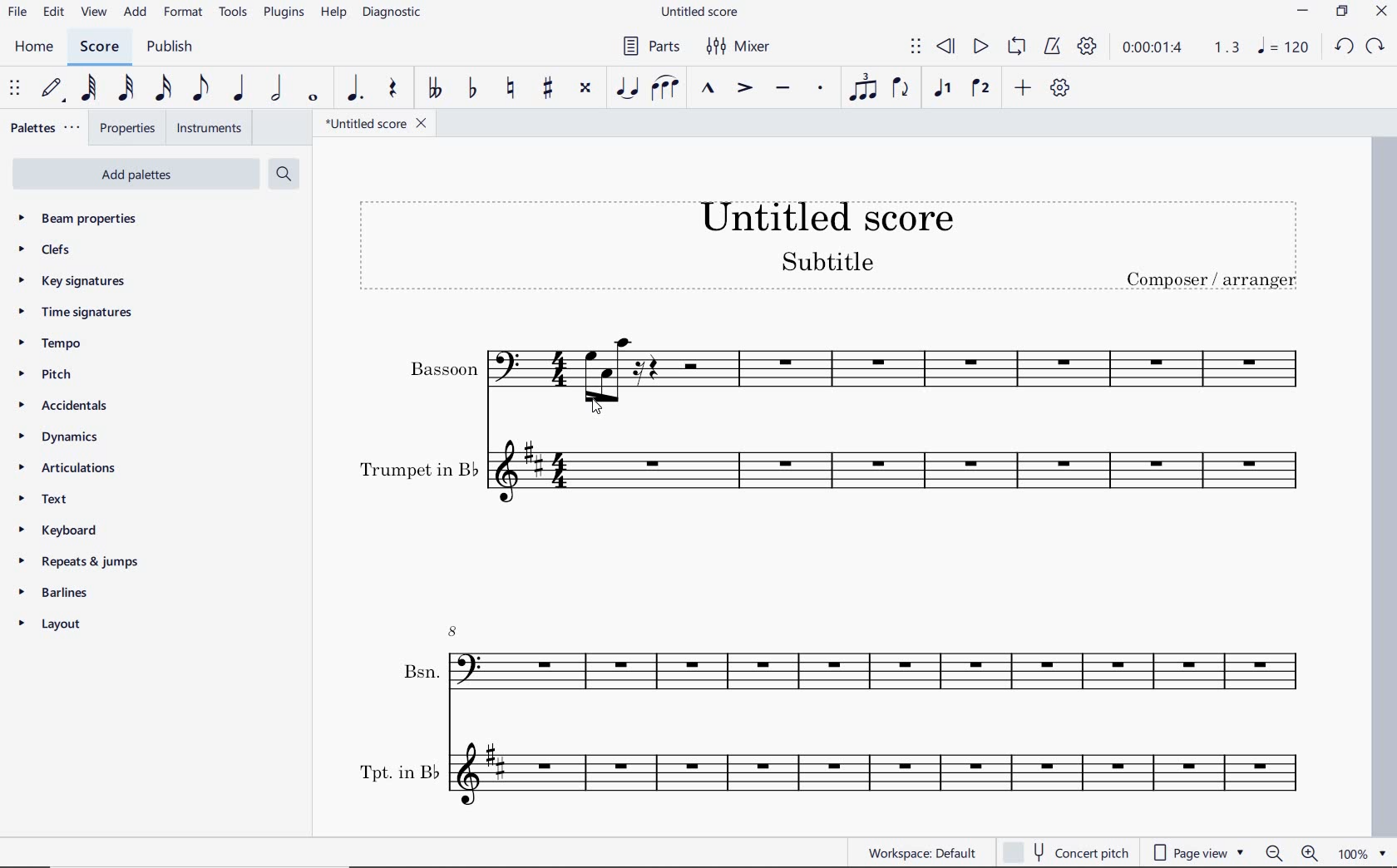  Describe the element at coordinates (1054, 47) in the screenshot. I see `metronome` at that location.